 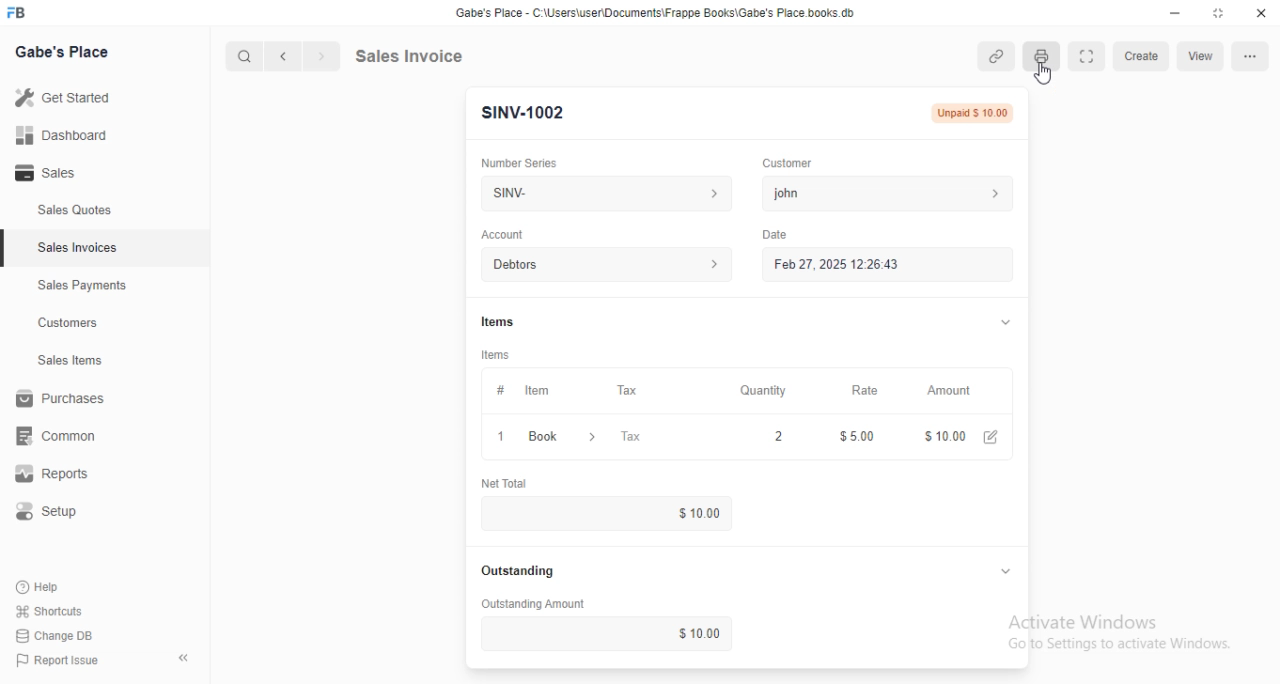 What do you see at coordinates (1042, 57) in the screenshot?
I see `print` at bounding box center [1042, 57].